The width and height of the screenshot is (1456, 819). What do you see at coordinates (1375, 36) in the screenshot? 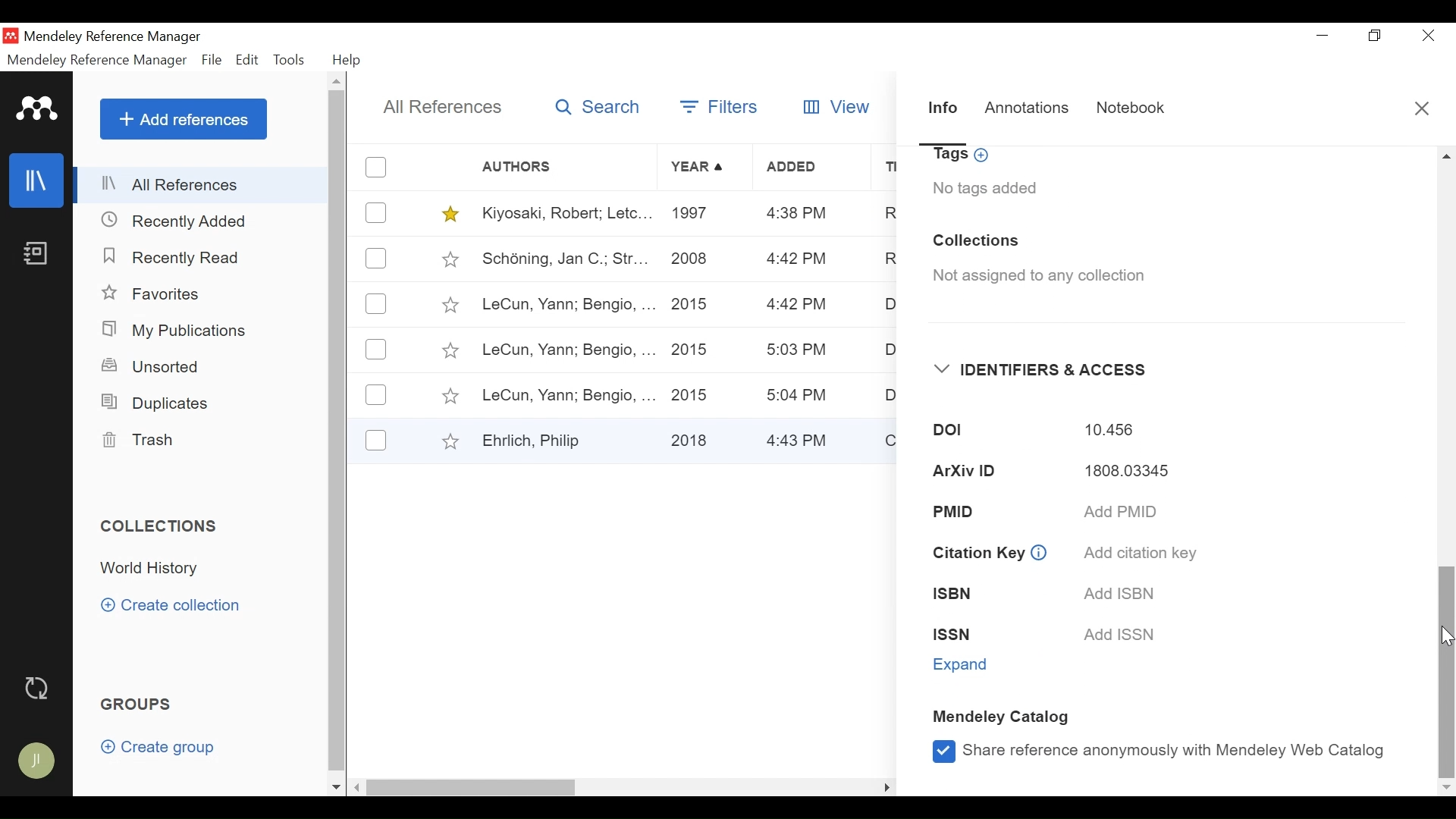
I see `Restore` at bounding box center [1375, 36].